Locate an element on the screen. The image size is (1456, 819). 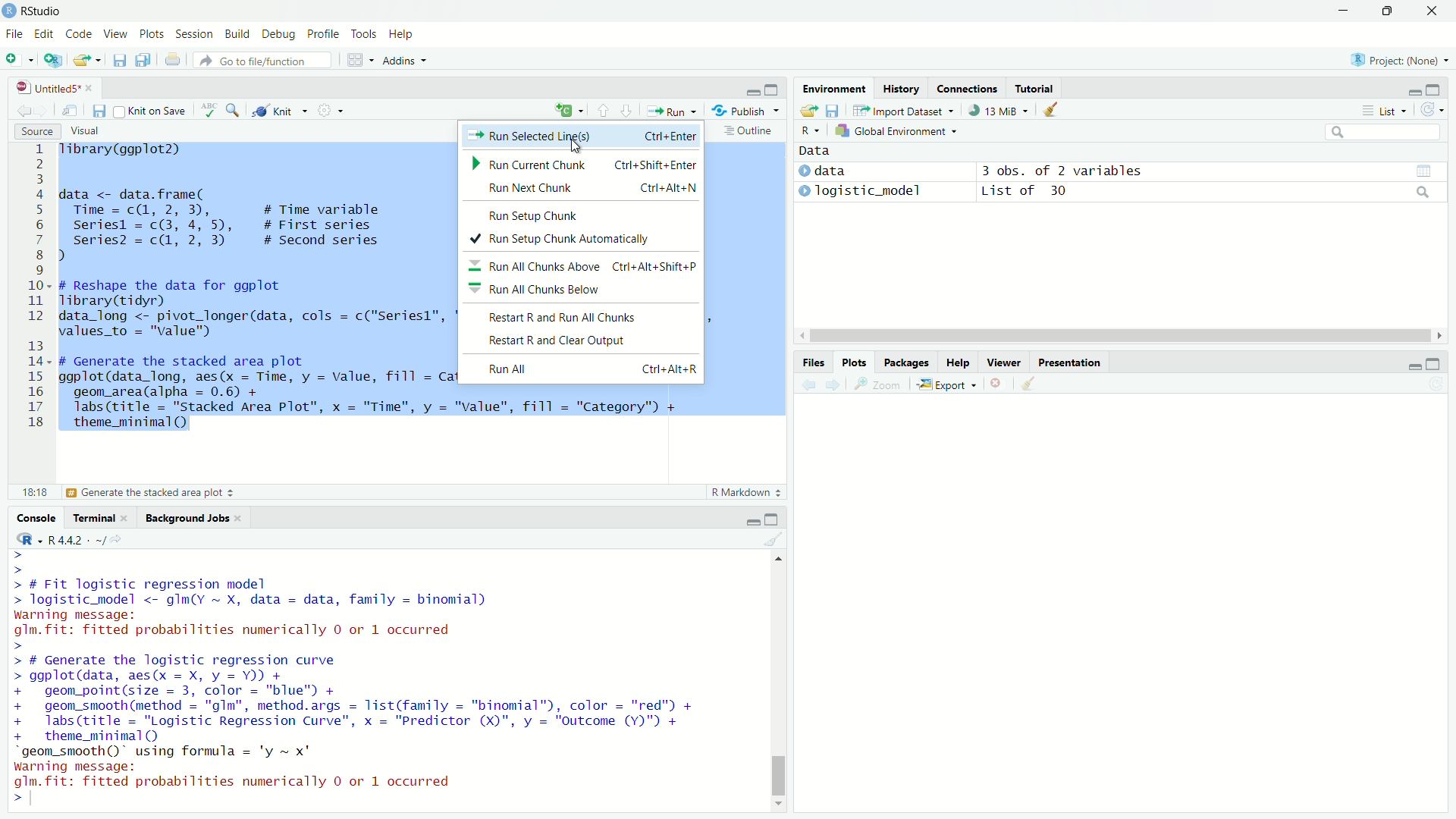
Tools is located at coordinates (364, 33).